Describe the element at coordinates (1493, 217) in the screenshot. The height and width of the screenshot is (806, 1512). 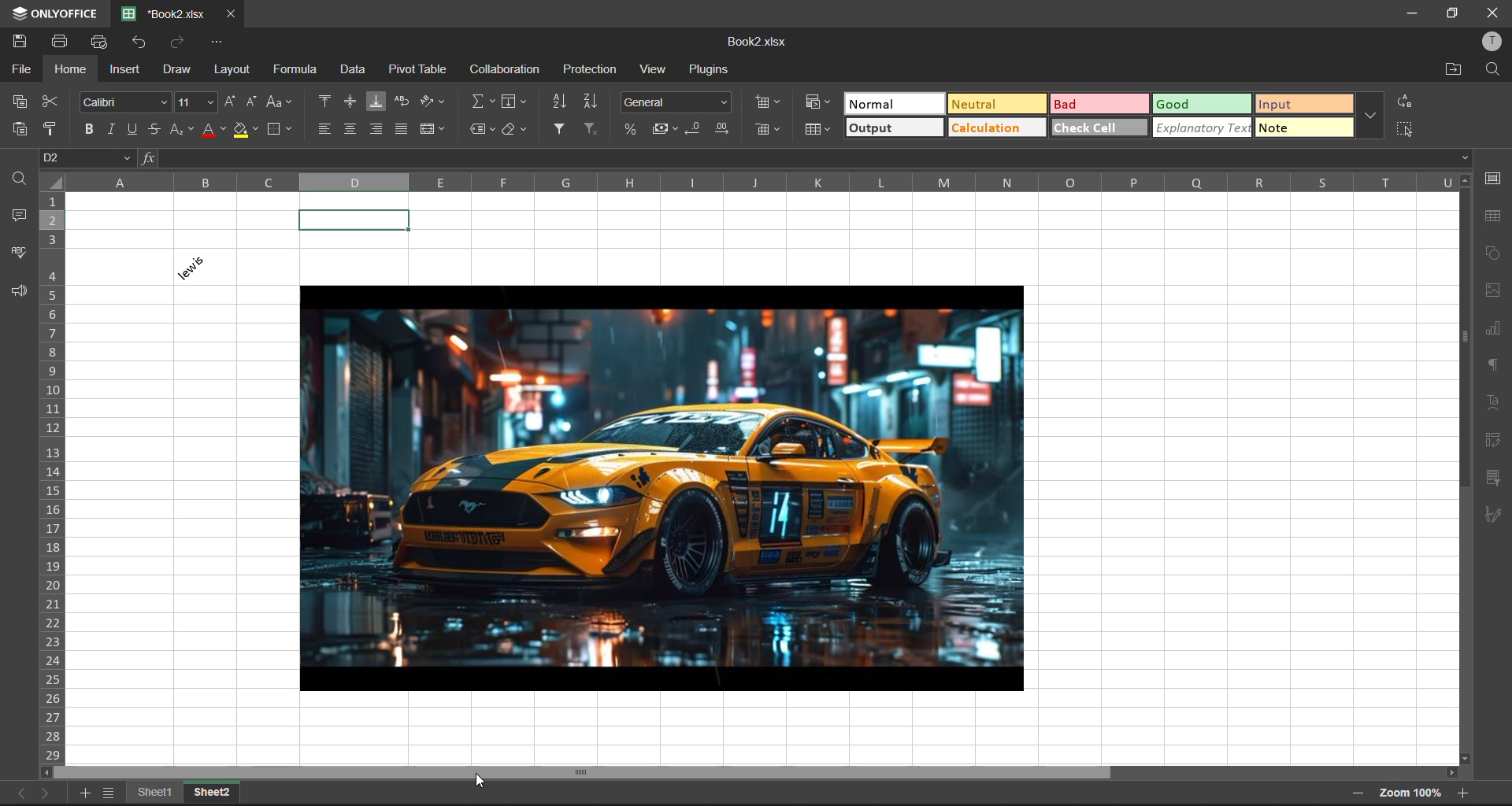
I see `table` at that location.